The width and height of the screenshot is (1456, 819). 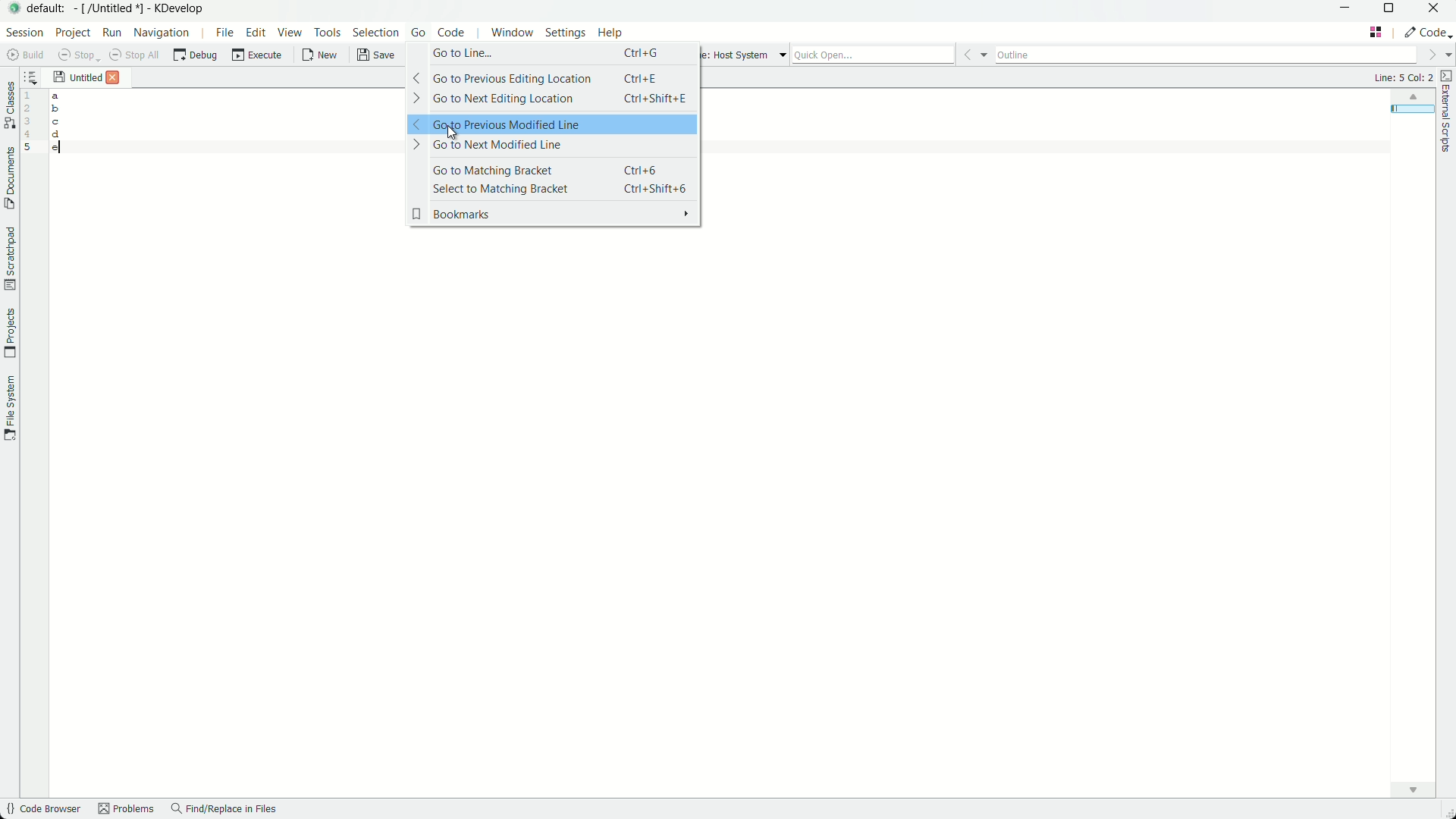 I want to click on runtime host system, so click(x=750, y=55).